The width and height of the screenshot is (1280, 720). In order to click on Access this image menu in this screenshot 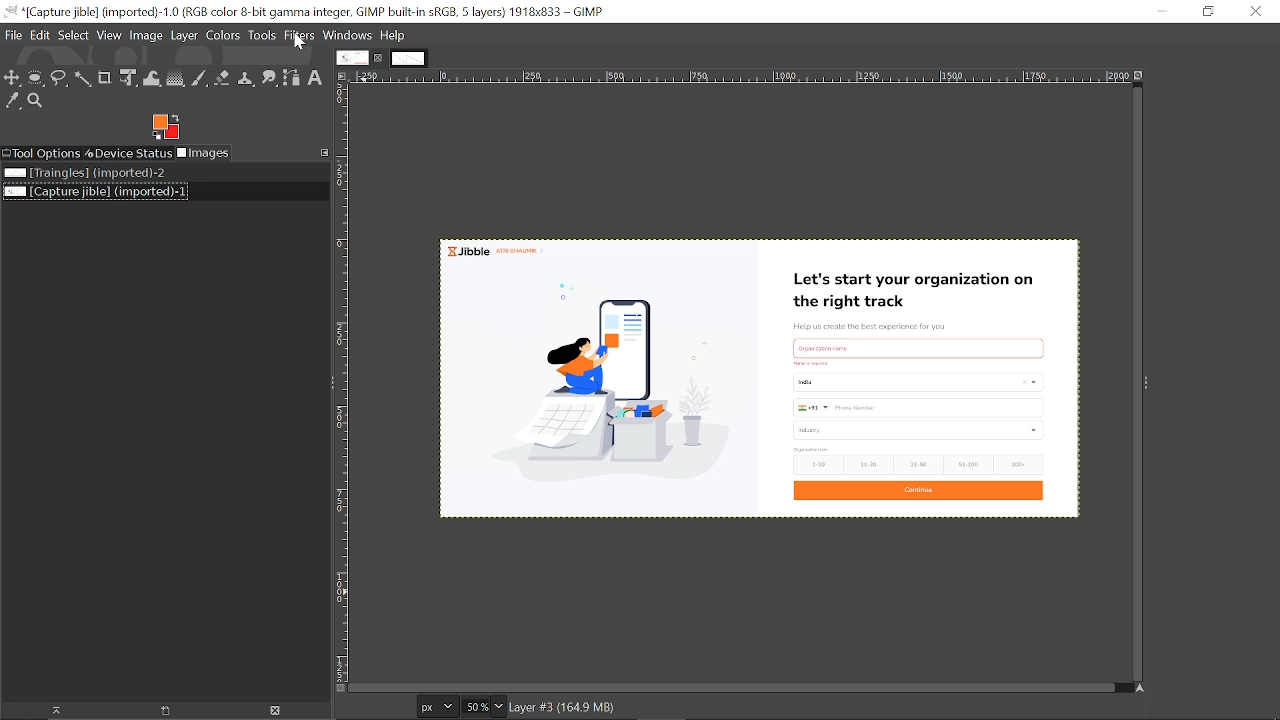, I will do `click(340, 76)`.